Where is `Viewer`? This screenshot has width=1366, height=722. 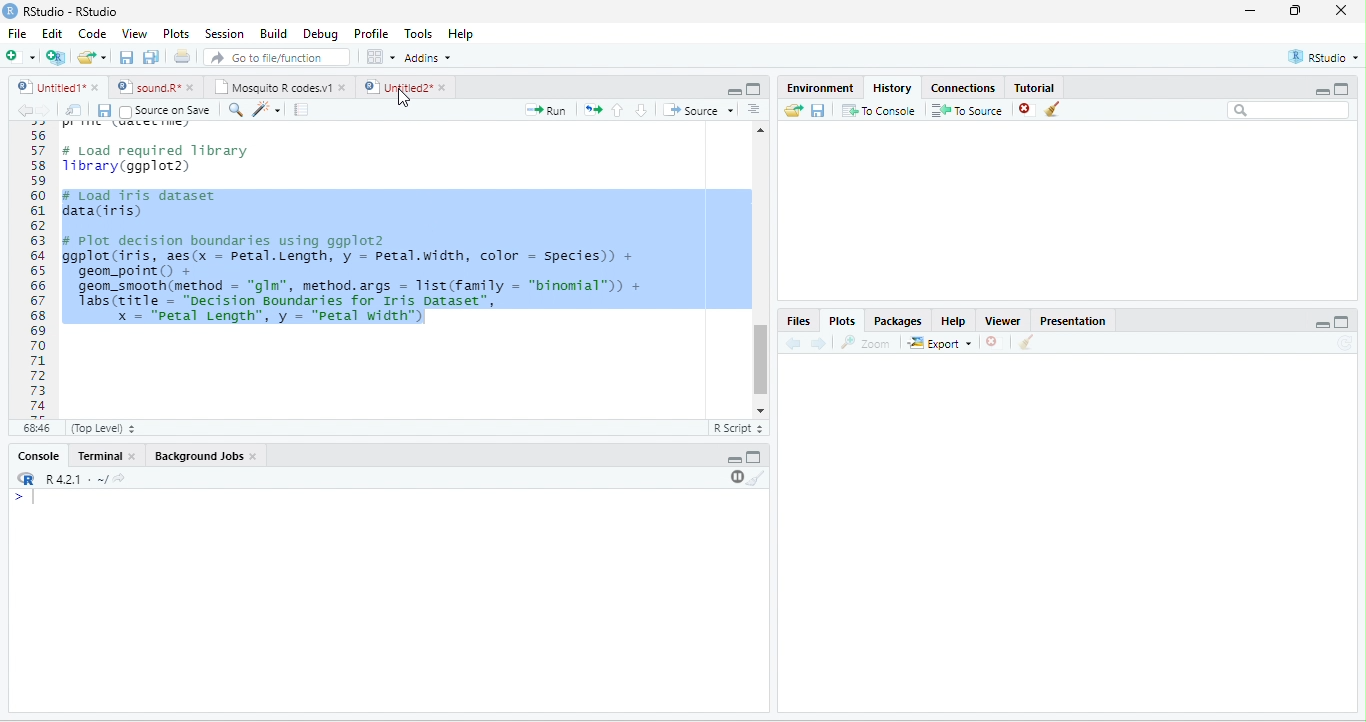
Viewer is located at coordinates (1003, 321).